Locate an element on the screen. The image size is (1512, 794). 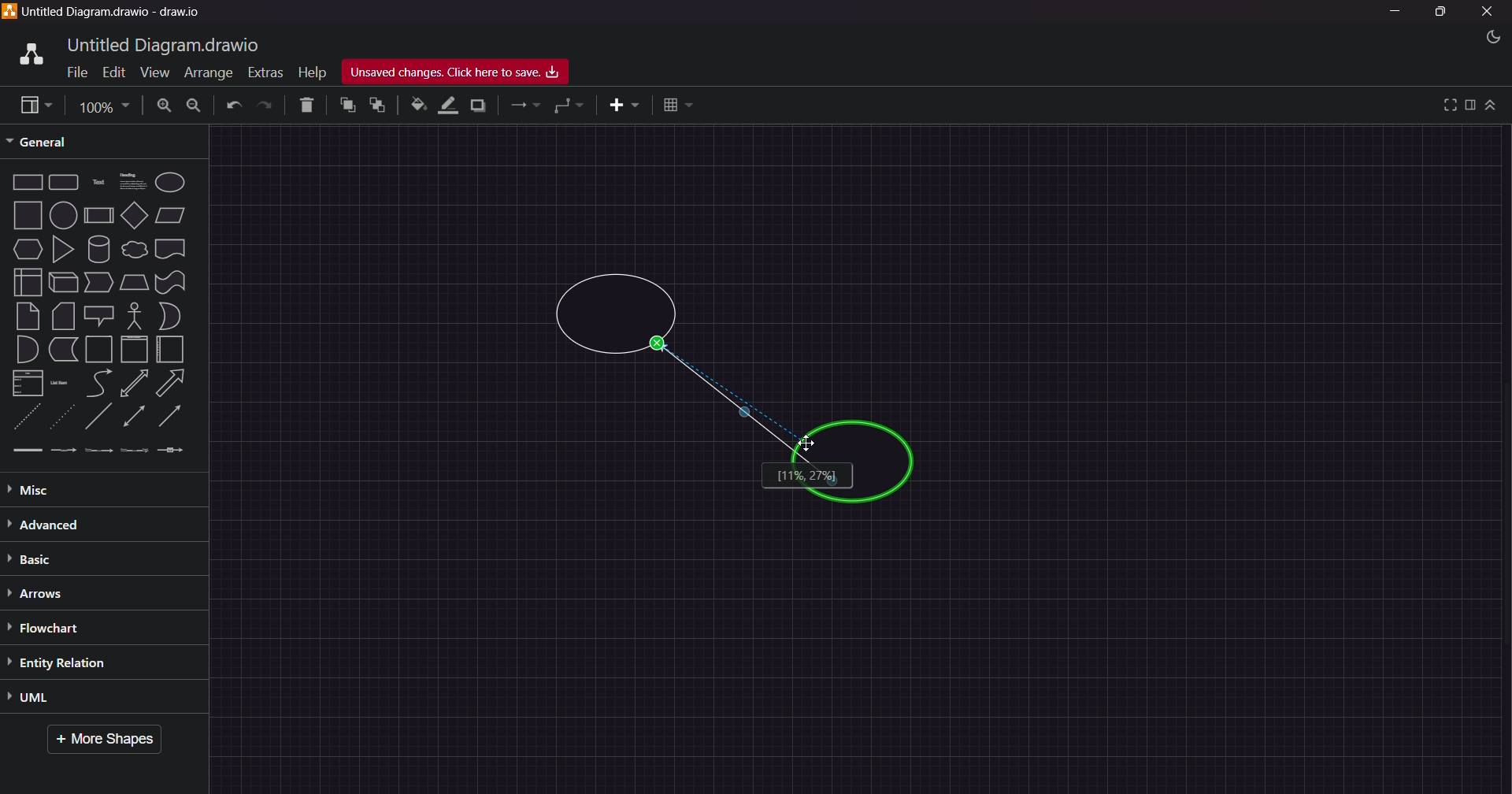
logo is located at coordinates (28, 52).